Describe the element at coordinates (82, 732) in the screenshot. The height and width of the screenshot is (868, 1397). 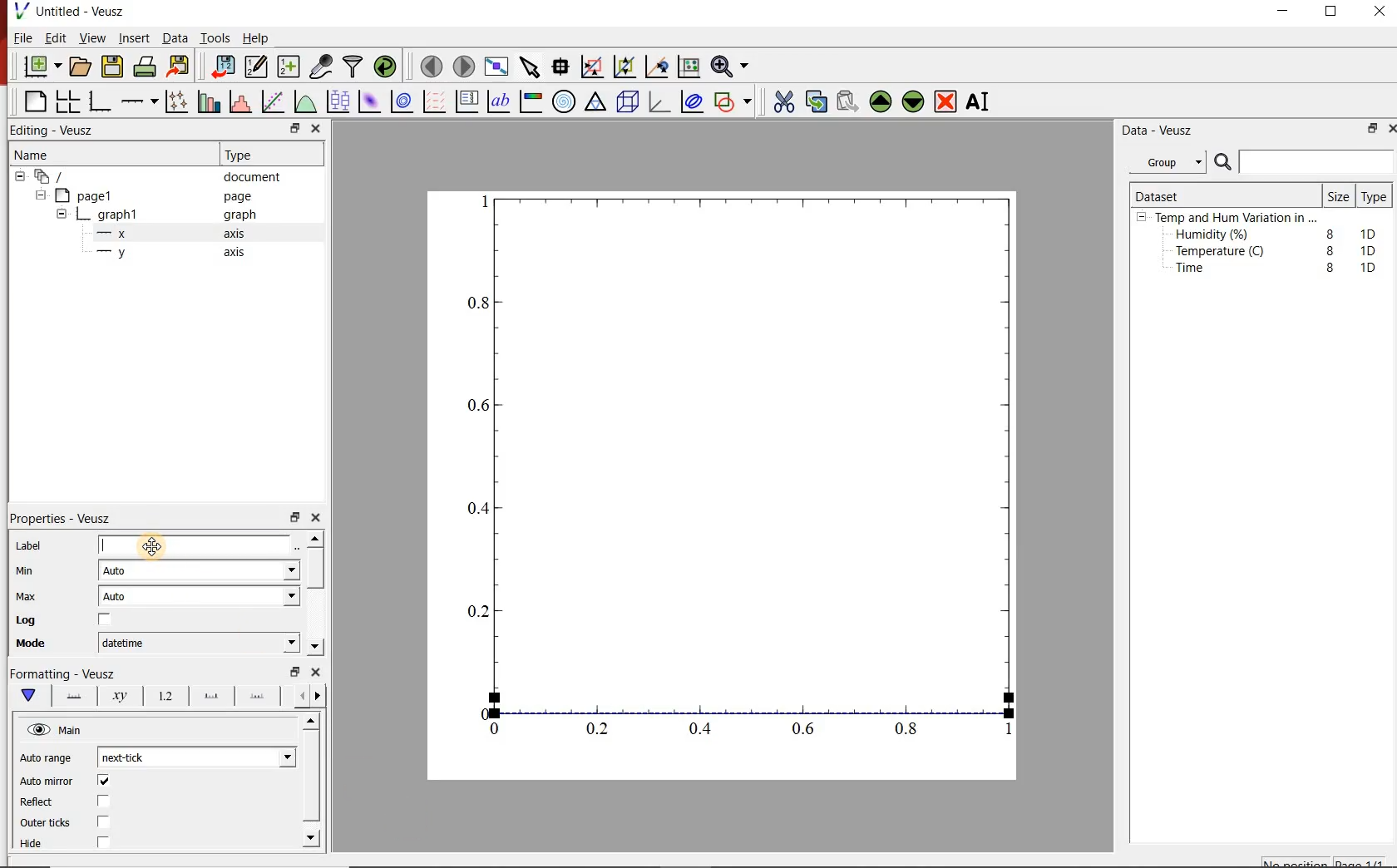
I see `Main` at that location.